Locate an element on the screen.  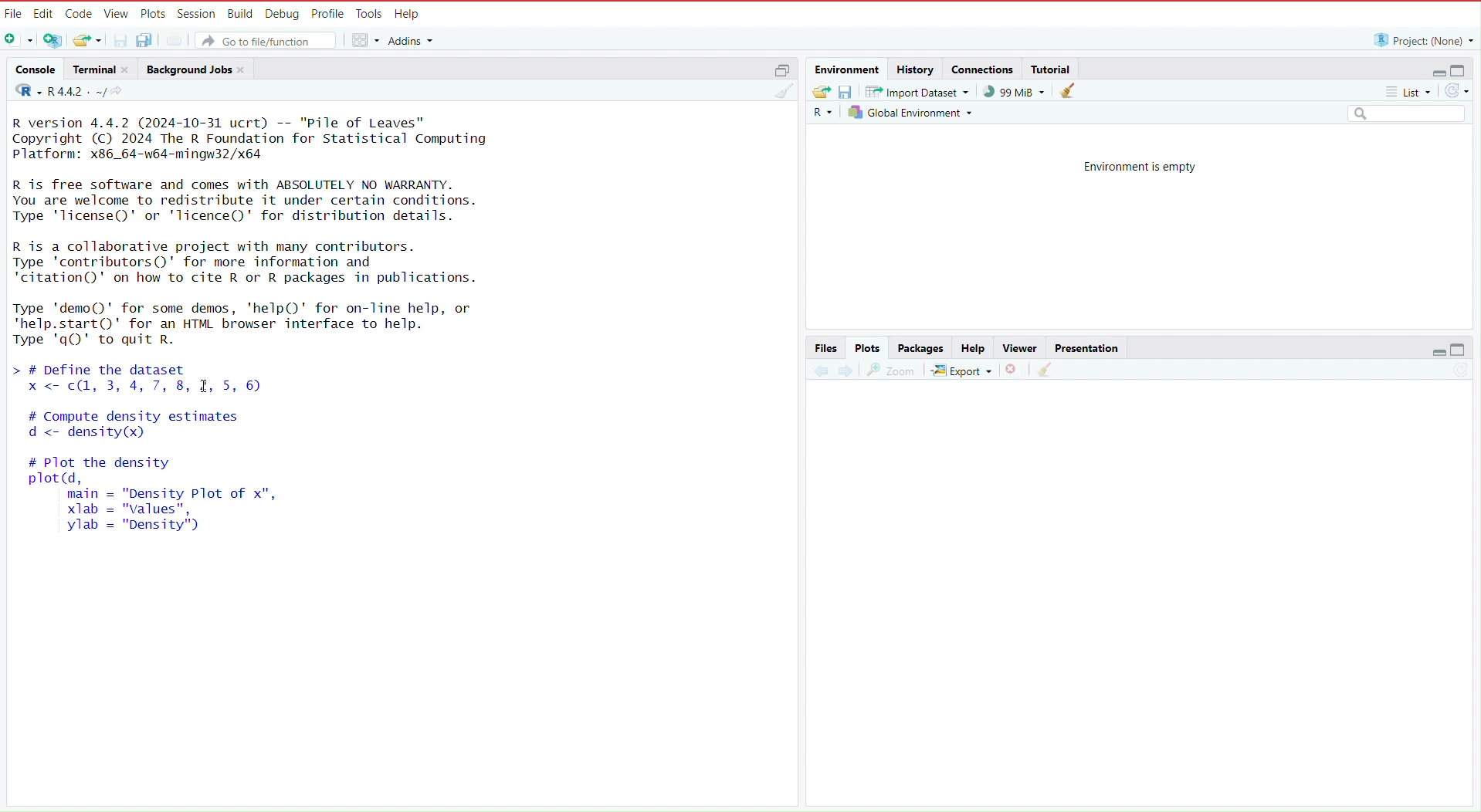
close is located at coordinates (129, 69).